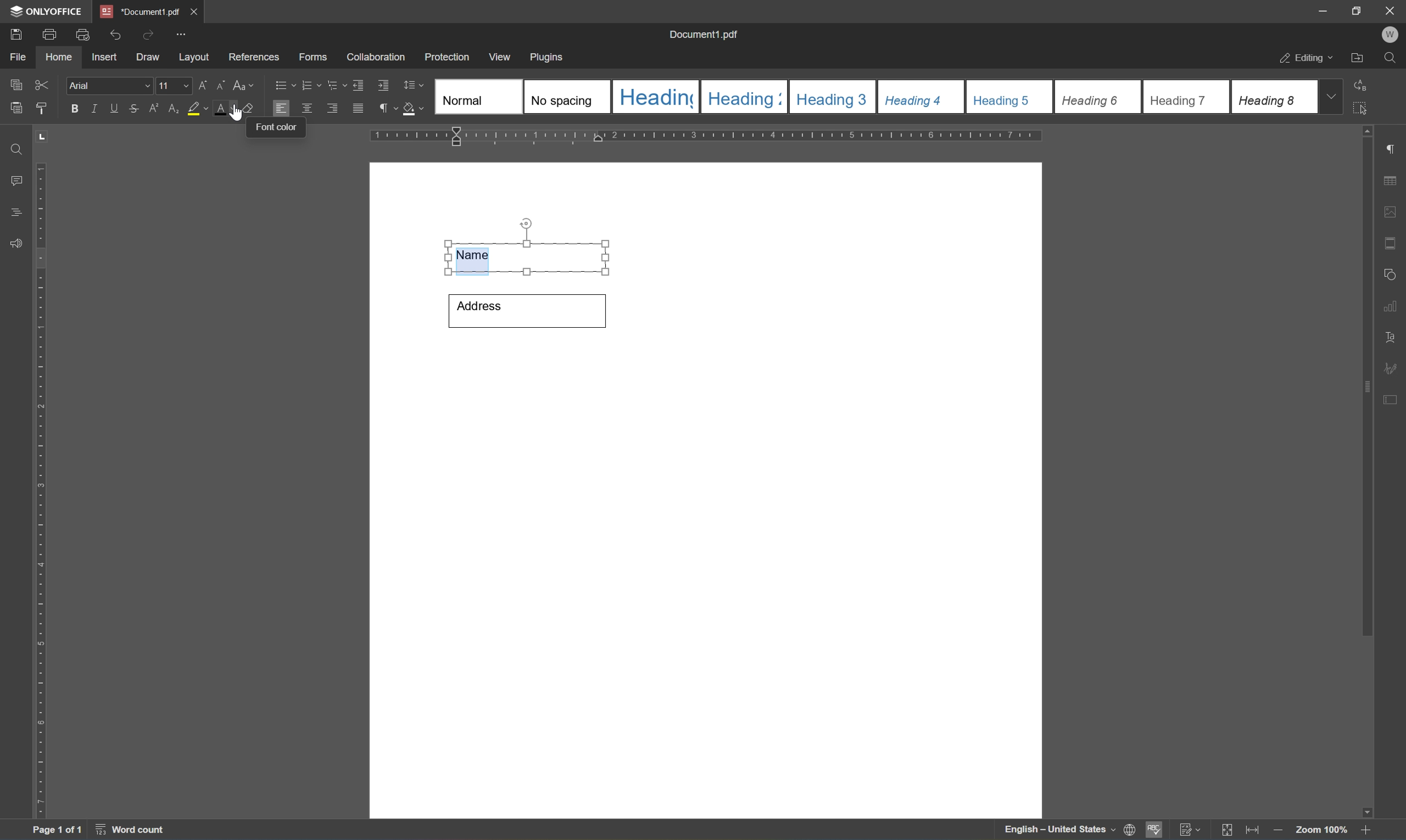 The image size is (1406, 840). I want to click on font color, so click(224, 108).